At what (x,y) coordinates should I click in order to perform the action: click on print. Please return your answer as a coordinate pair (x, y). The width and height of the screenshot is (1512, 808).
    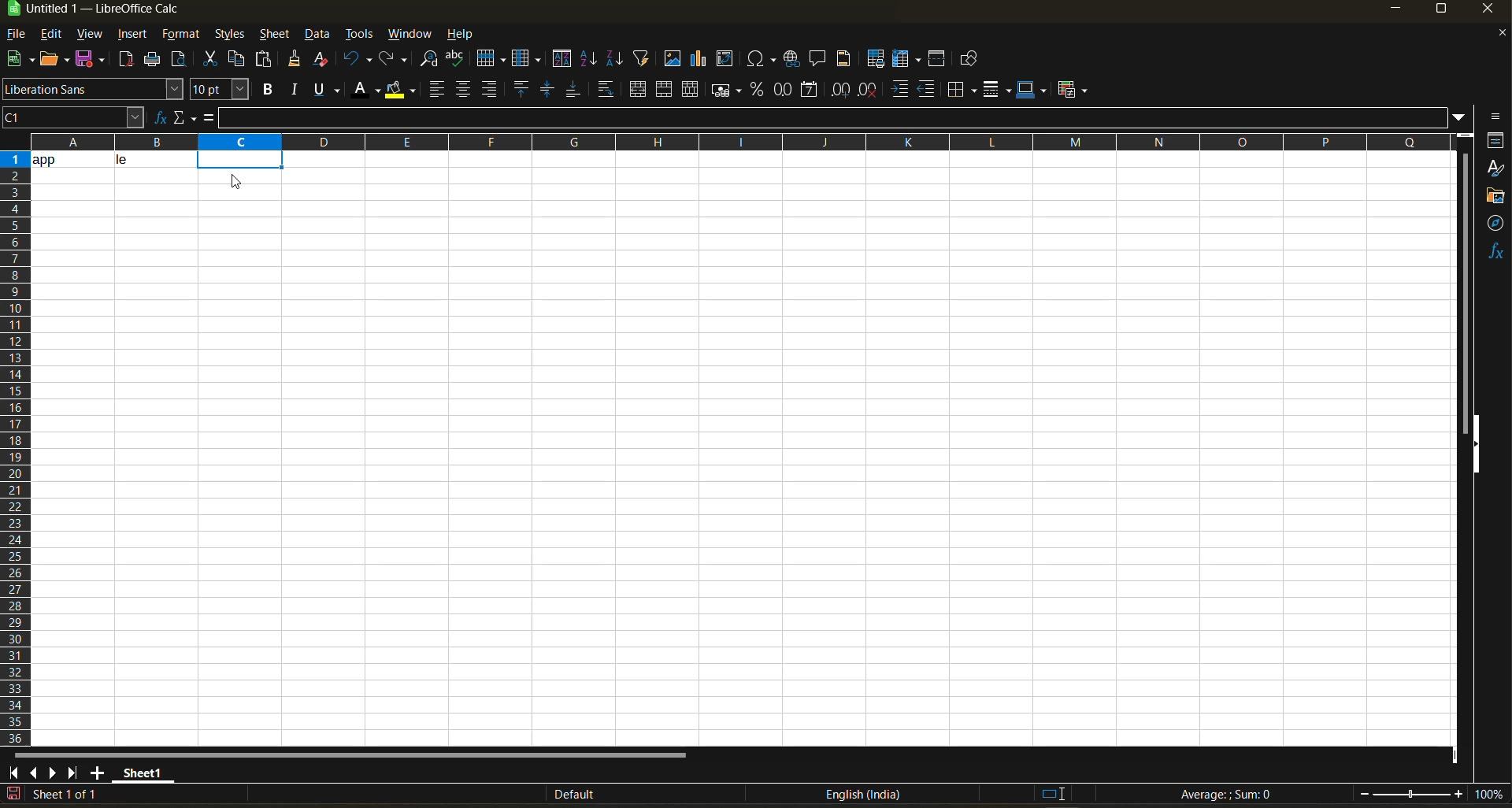
    Looking at the image, I should click on (152, 60).